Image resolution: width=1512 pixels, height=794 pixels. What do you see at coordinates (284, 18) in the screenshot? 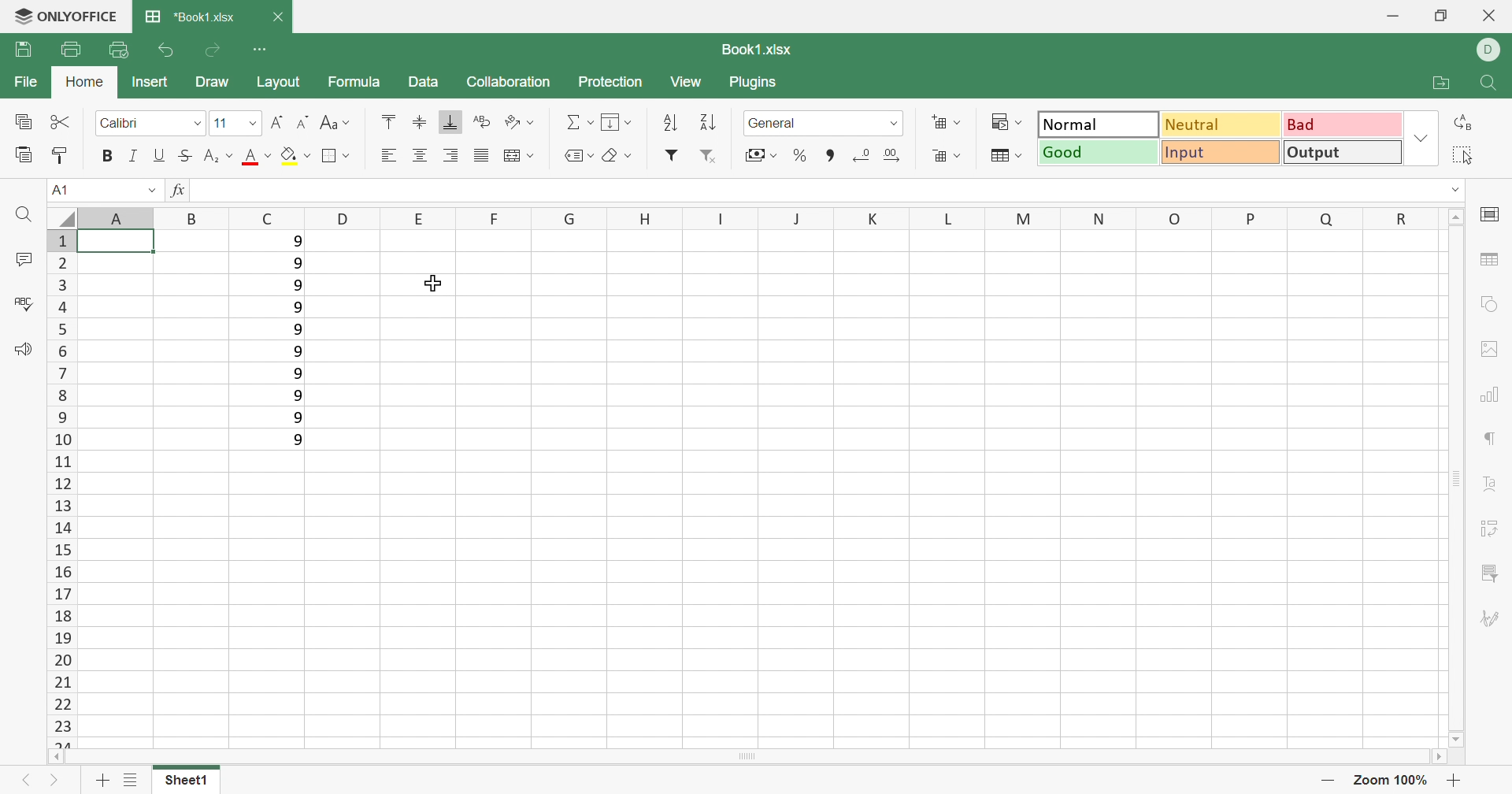
I see `Close` at bounding box center [284, 18].